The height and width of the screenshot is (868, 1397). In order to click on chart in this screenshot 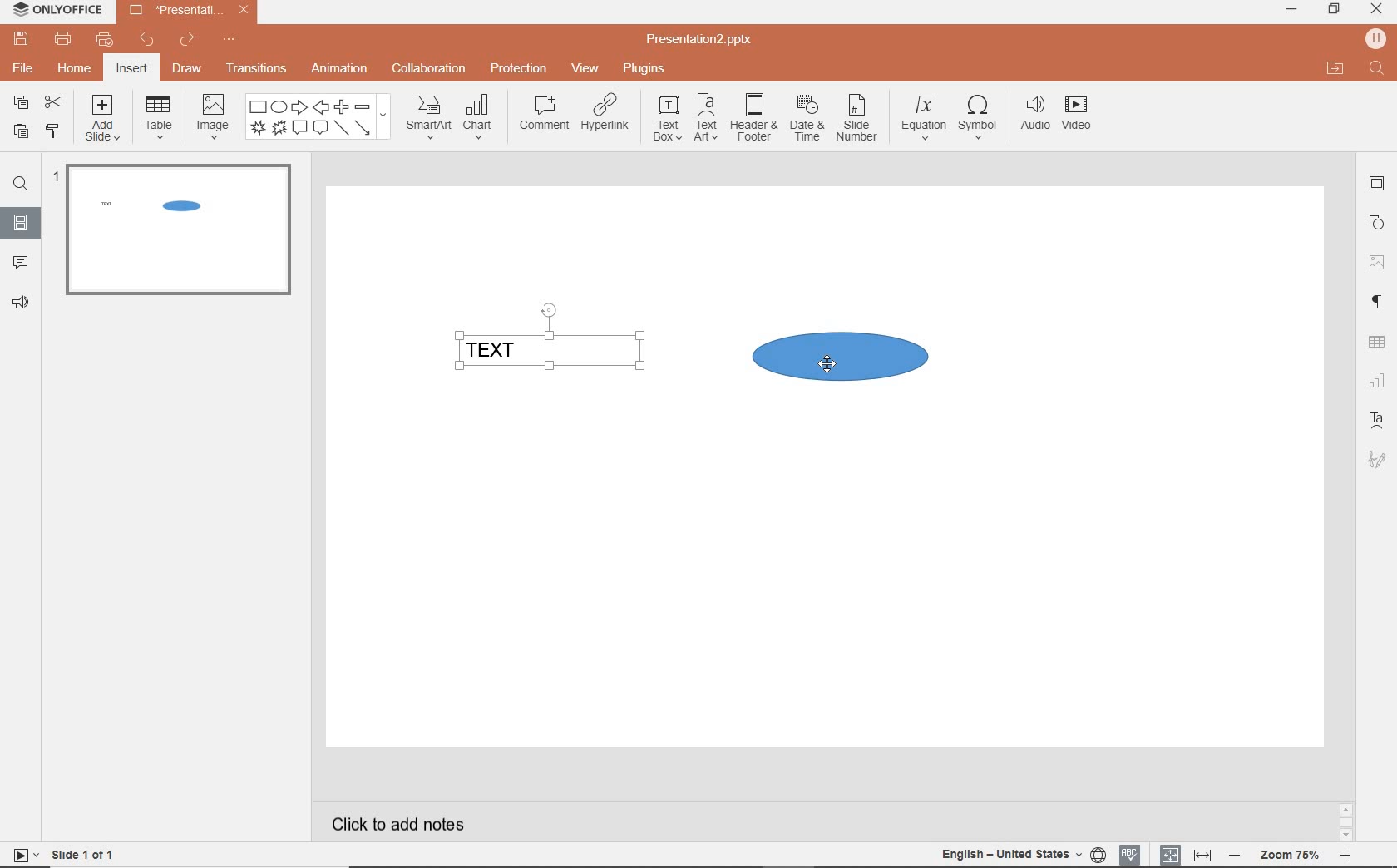, I will do `click(481, 116)`.